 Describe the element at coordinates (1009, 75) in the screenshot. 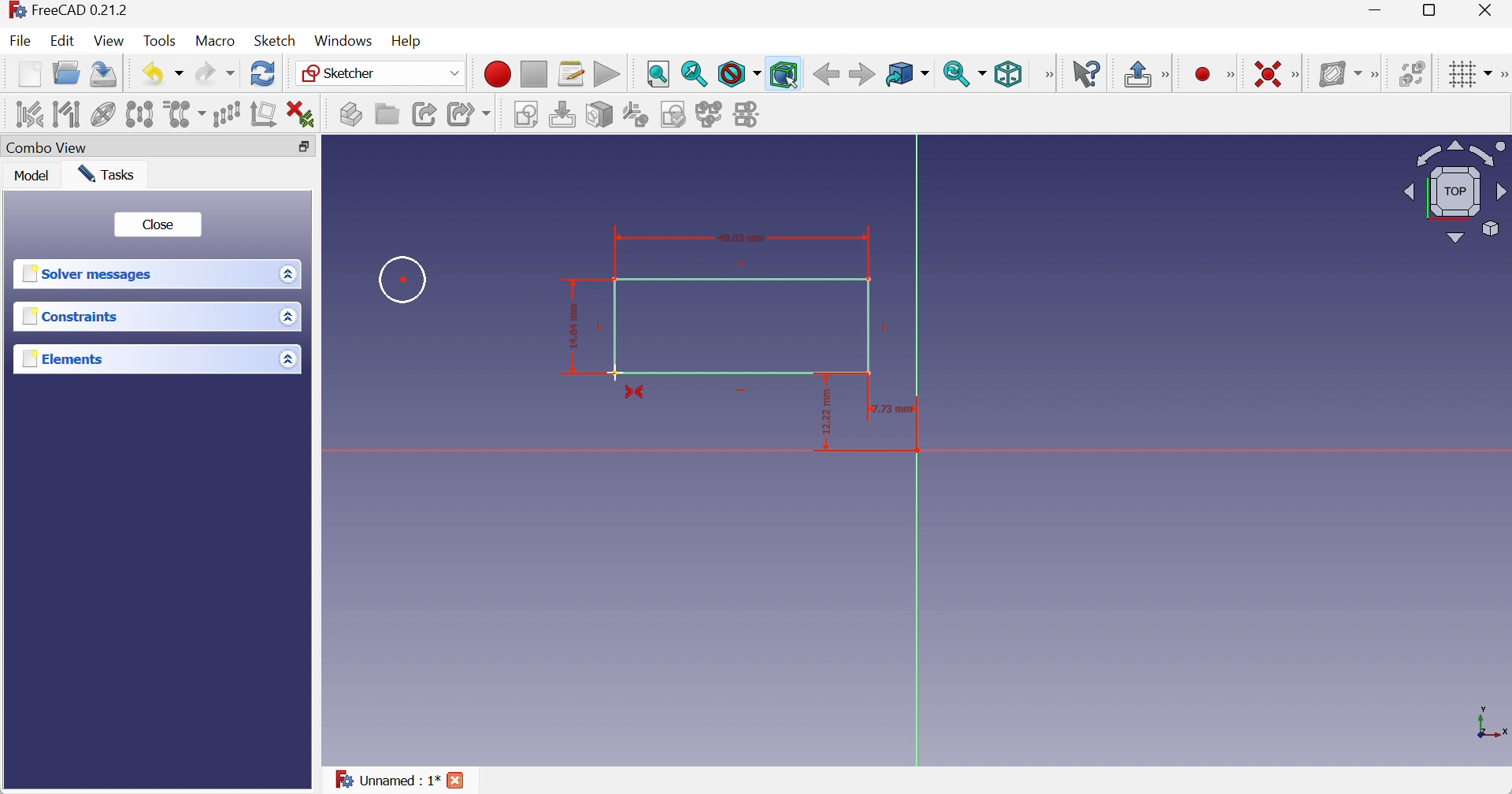

I see `Isometric` at that location.